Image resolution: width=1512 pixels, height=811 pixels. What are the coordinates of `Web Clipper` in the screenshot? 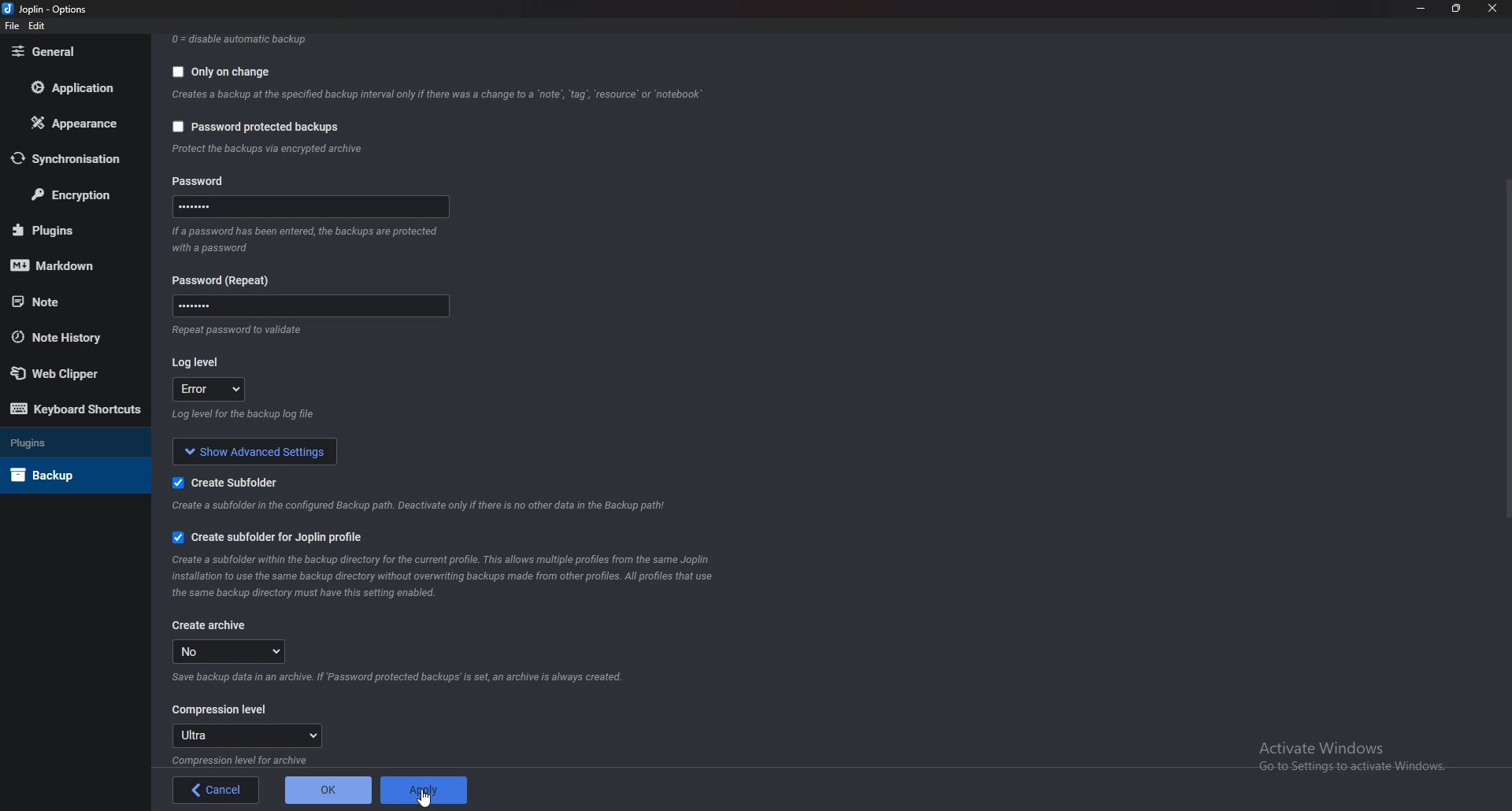 It's located at (73, 373).